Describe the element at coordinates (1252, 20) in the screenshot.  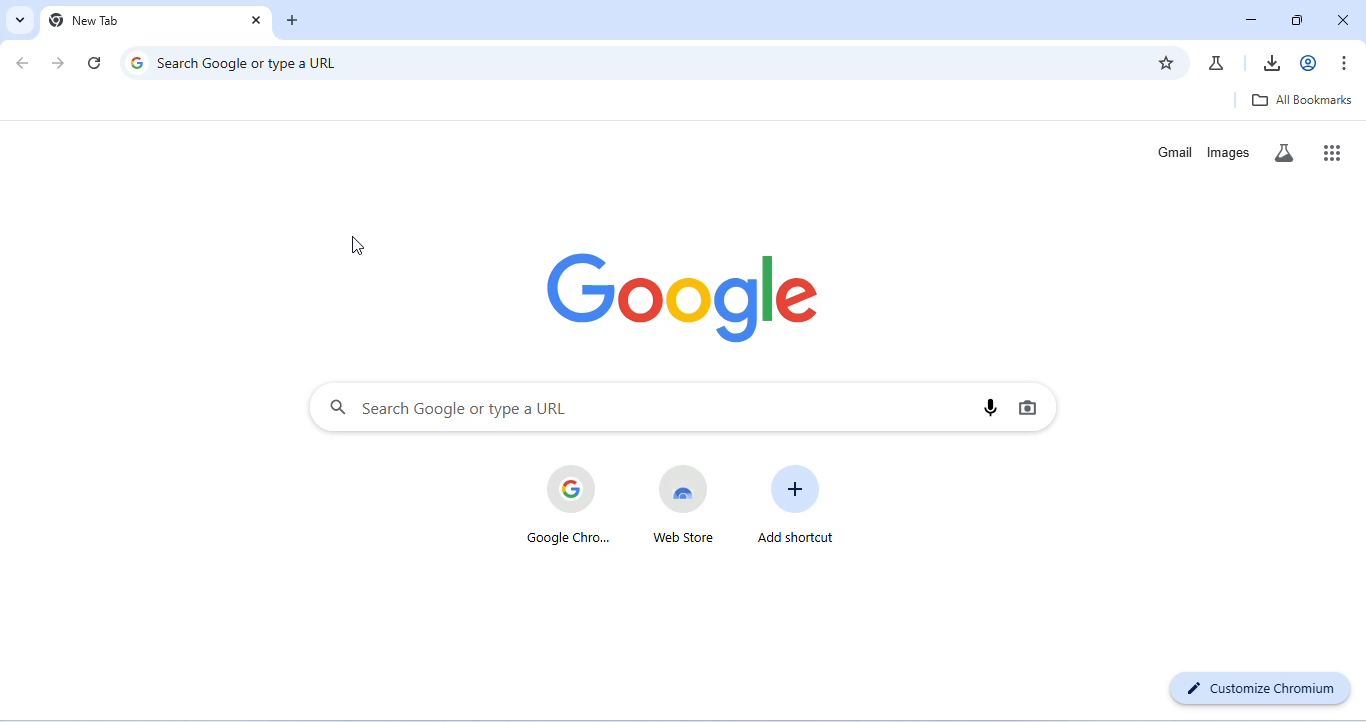
I see `minimize` at that location.